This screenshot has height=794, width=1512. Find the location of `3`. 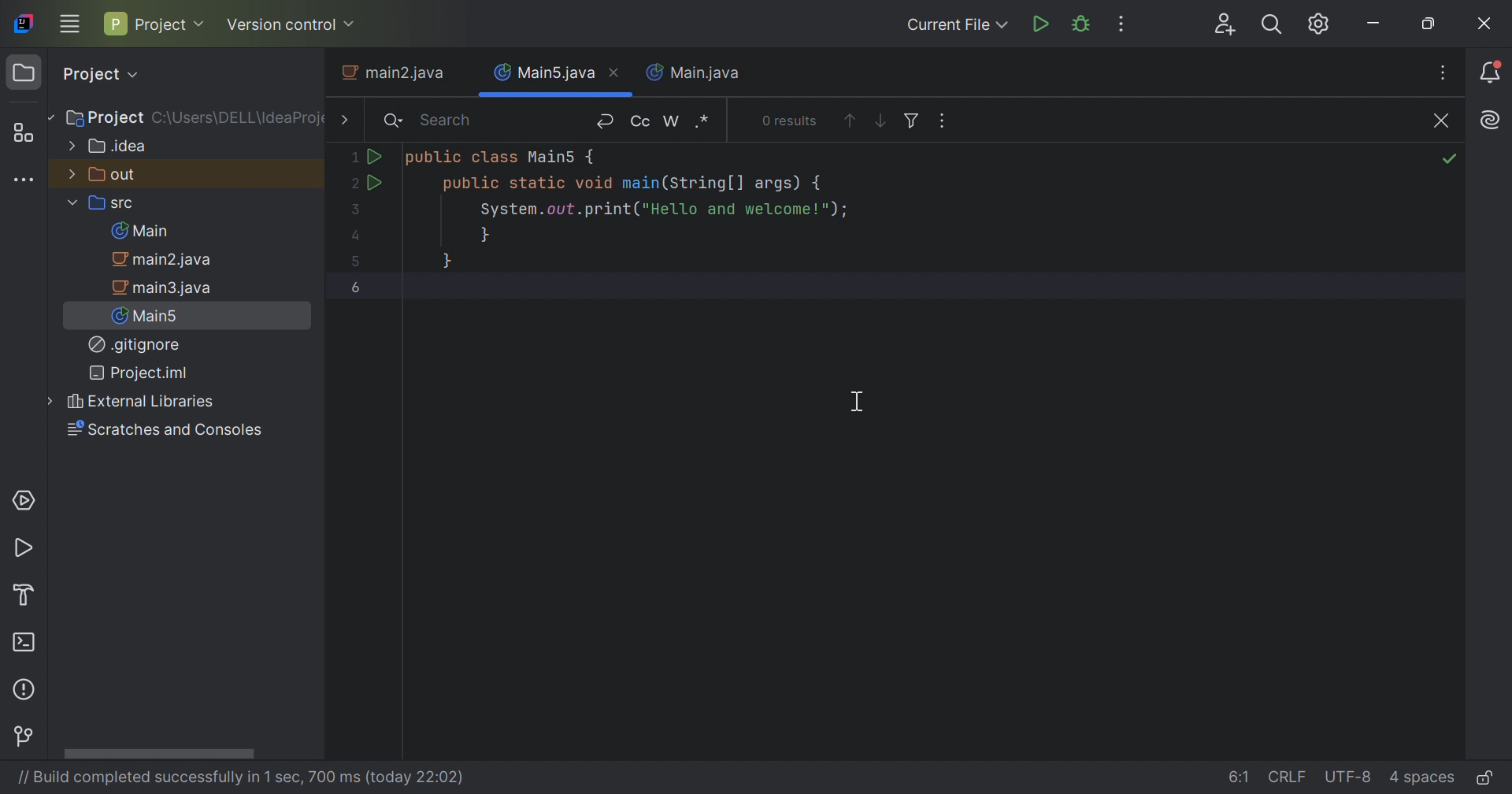

3 is located at coordinates (363, 210).